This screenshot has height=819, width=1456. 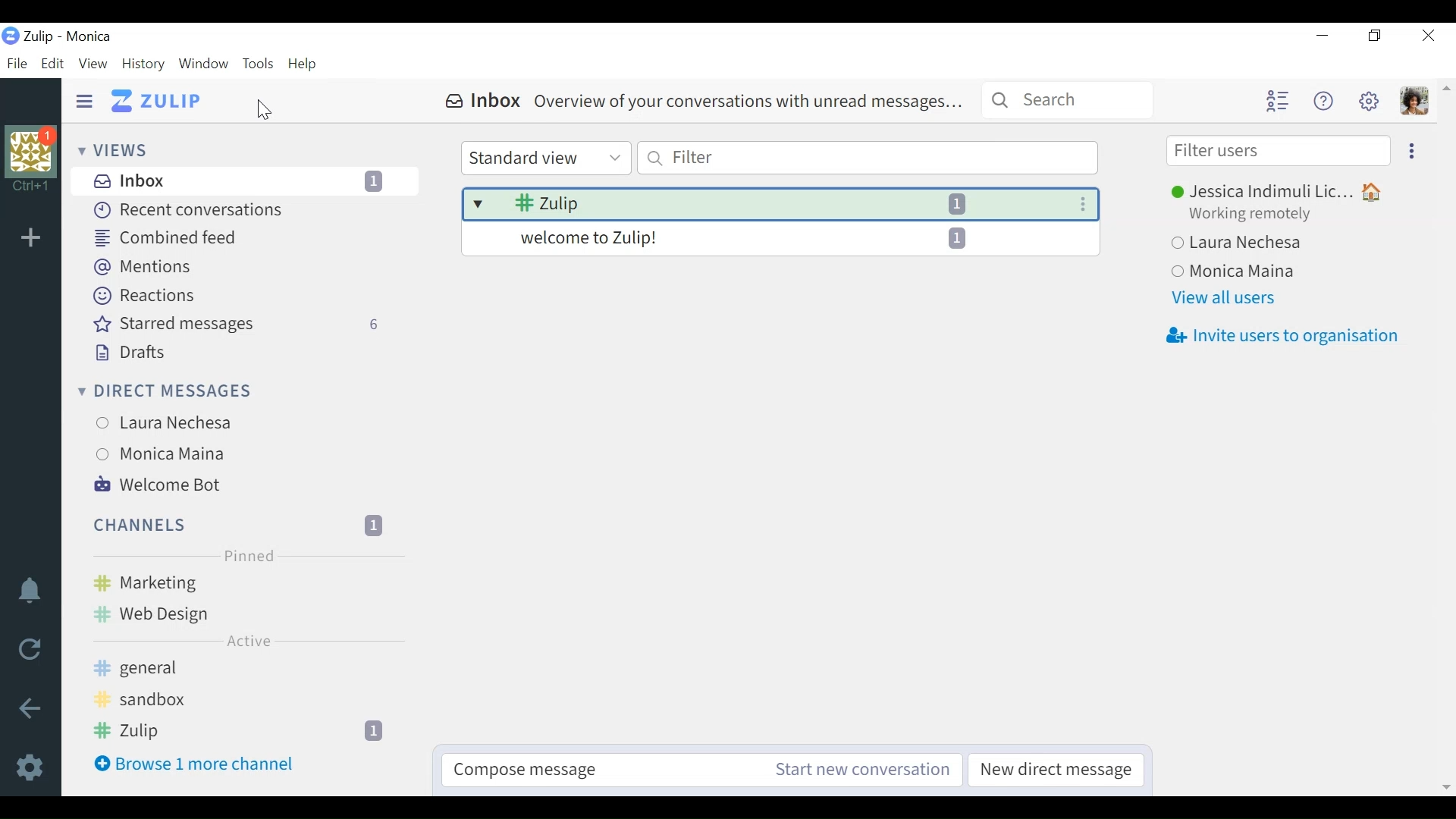 I want to click on Help, so click(x=1326, y=99).